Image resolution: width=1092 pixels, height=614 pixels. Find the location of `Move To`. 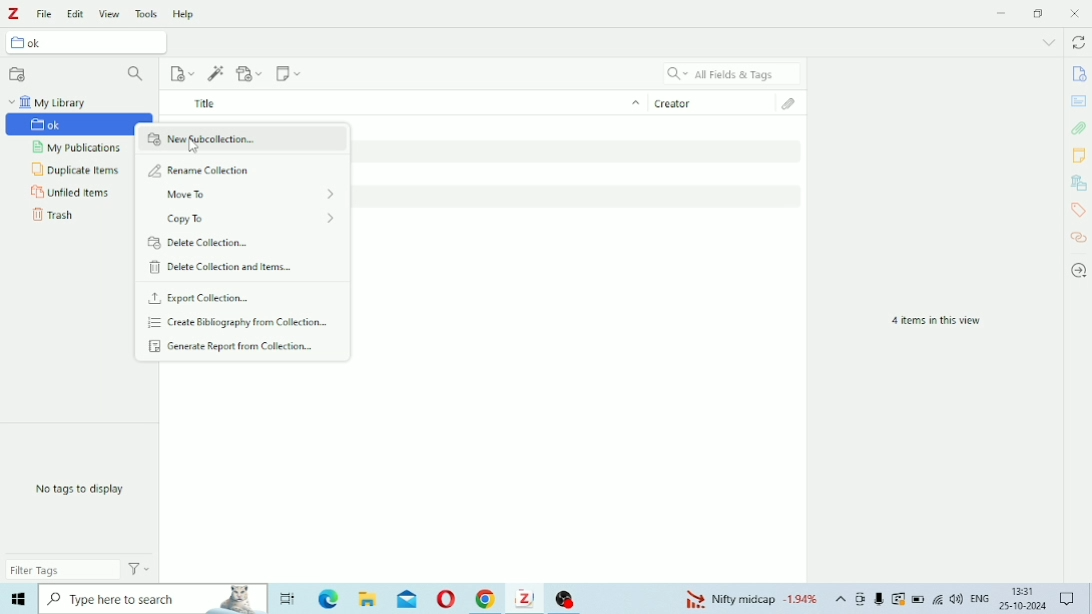

Move To is located at coordinates (250, 195).